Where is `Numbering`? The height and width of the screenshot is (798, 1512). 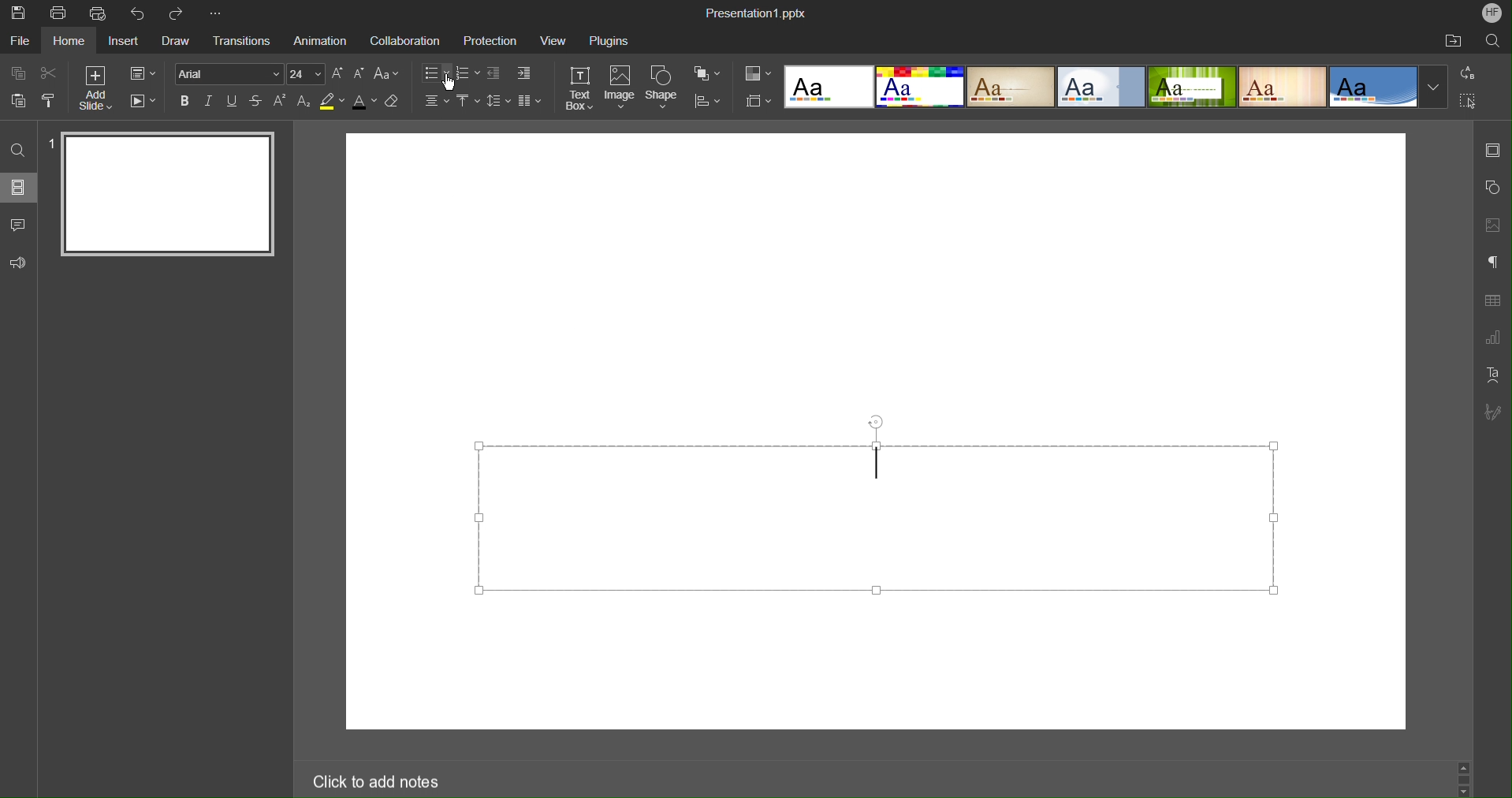 Numbering is located at coordinates (467, 73).